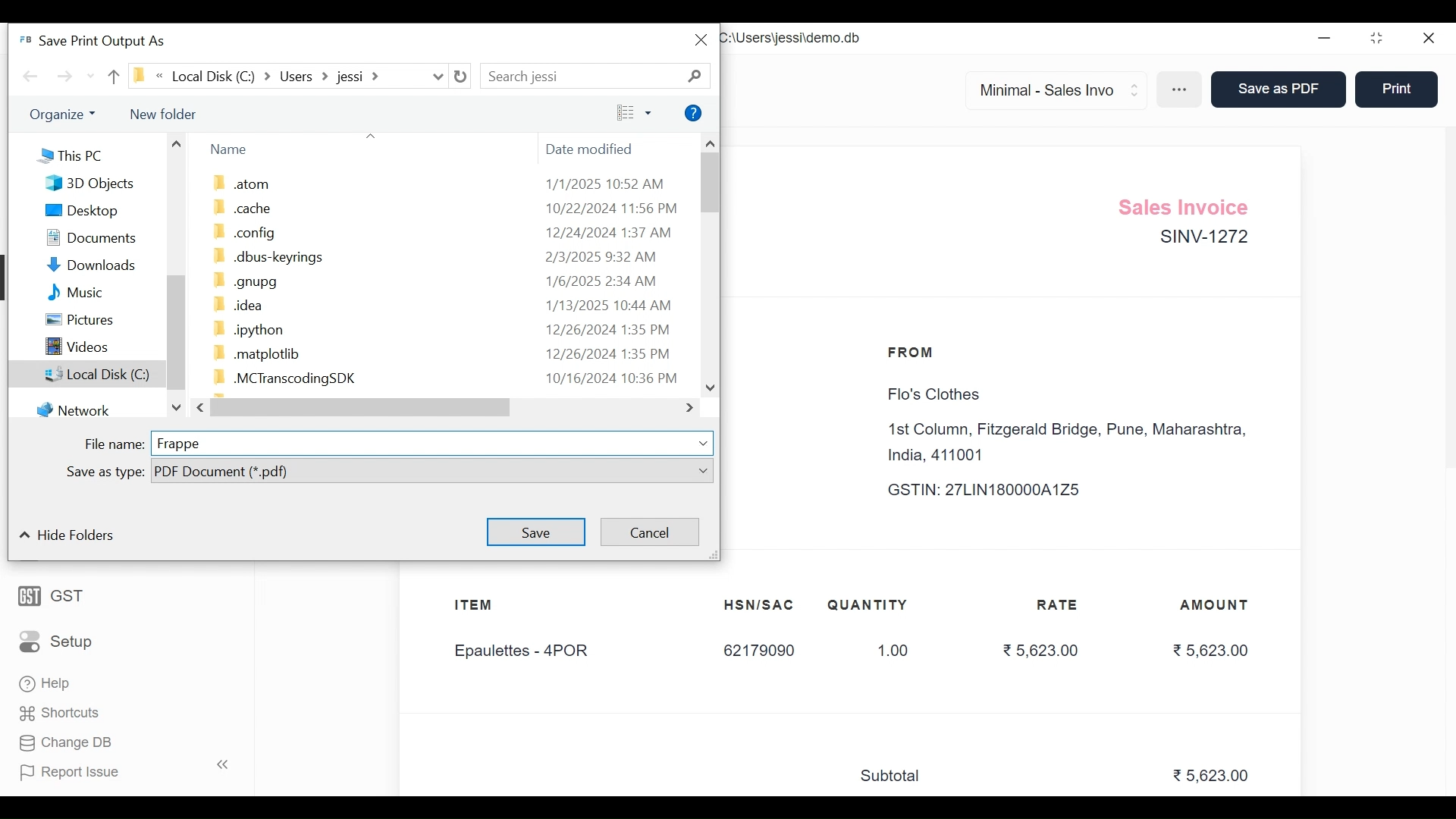  Describe the element at coordinates (633, 114) in the screenshot. I see `View ` at that location.